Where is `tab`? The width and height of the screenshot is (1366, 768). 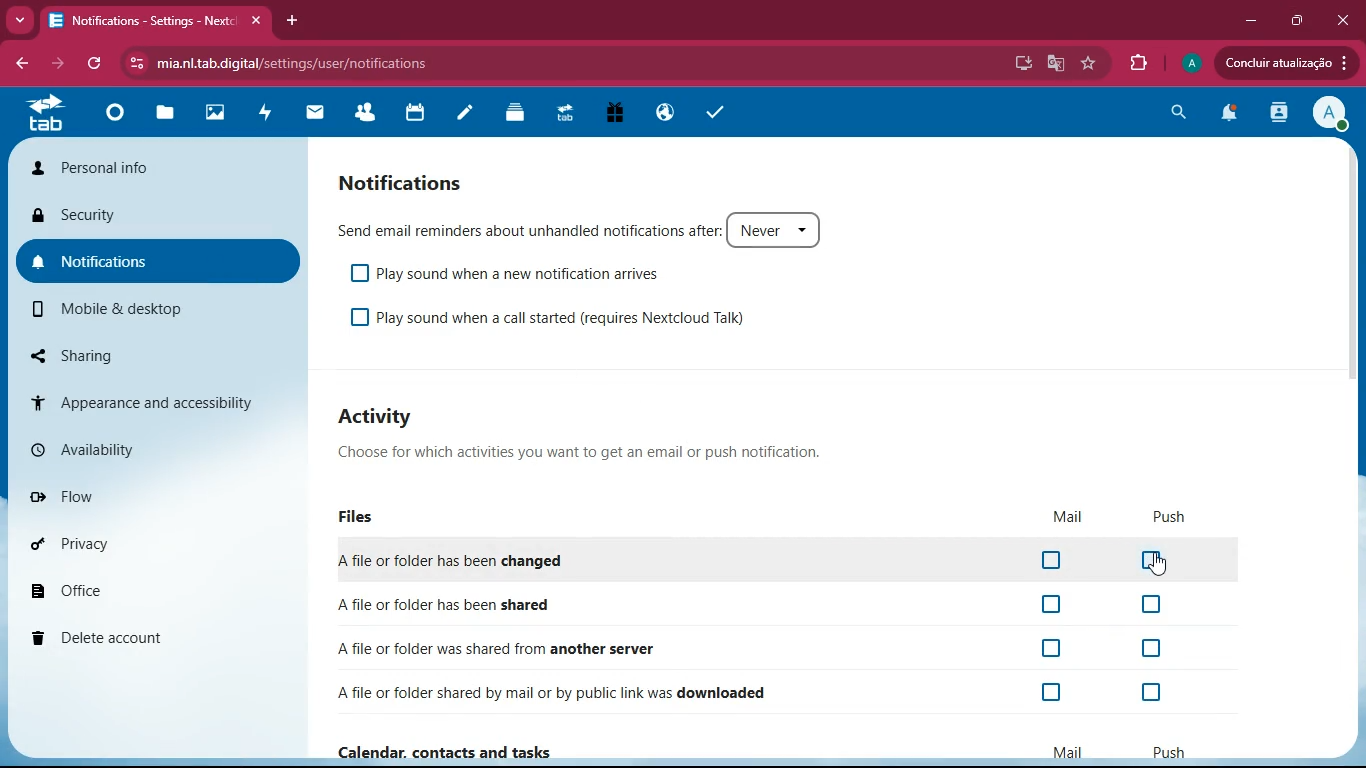 tab is located at coordinates (158, 20).